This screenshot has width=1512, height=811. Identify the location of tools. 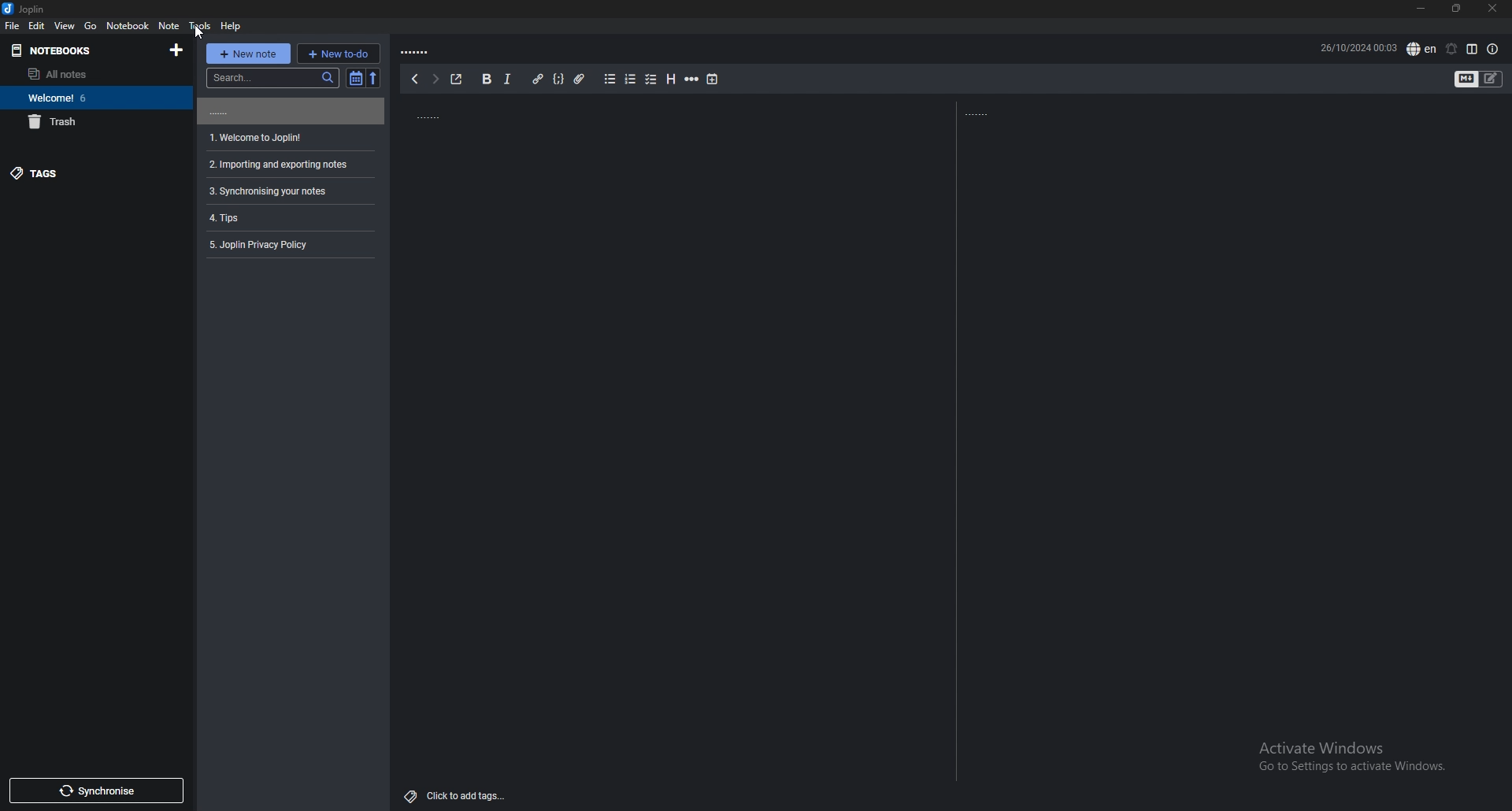
(199, 24).